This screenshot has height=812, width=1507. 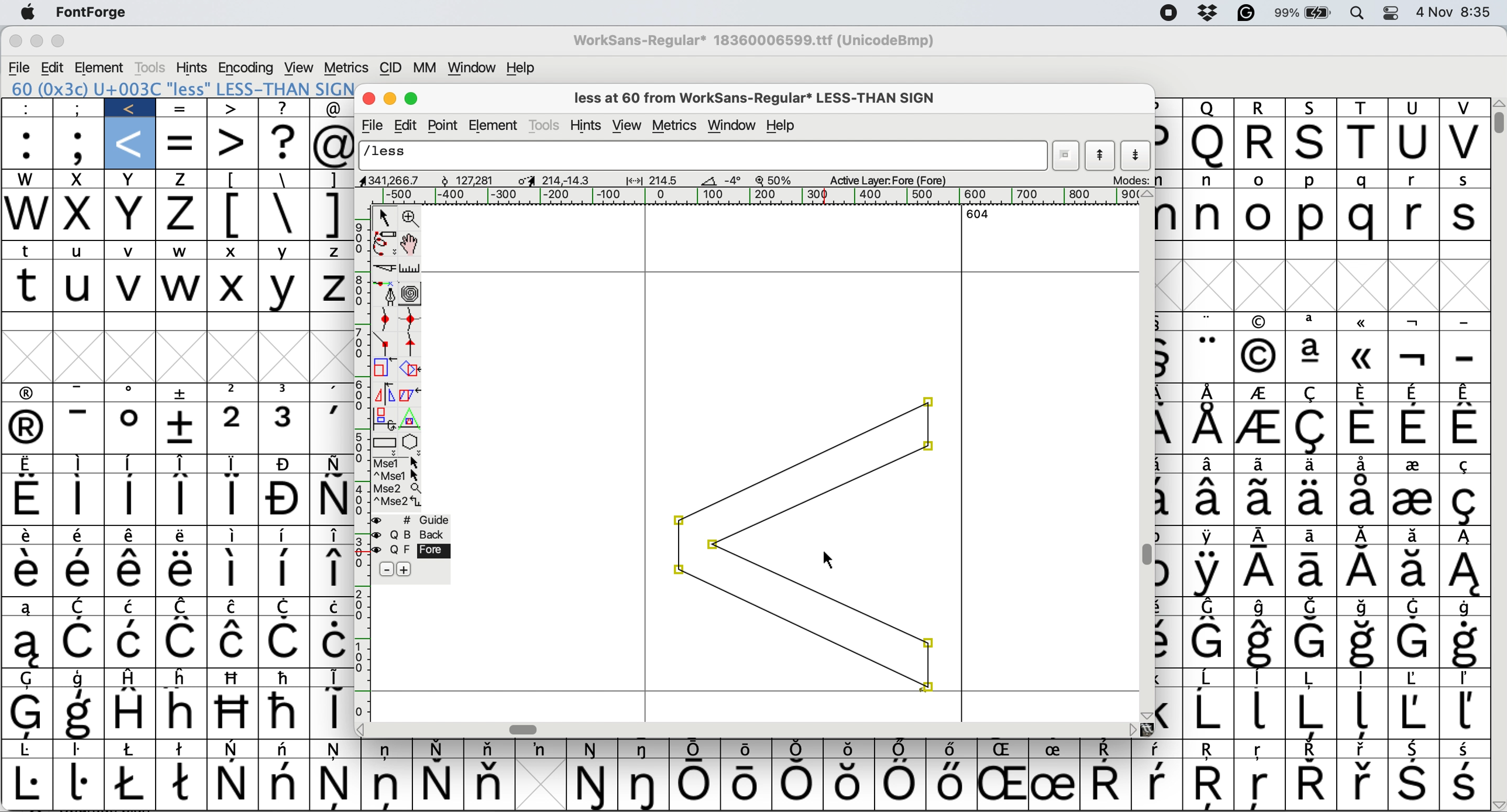 What do you see at coordinates (415, 344) in the screenshot?
I see `tangent point` at bounding box center [415, 344].